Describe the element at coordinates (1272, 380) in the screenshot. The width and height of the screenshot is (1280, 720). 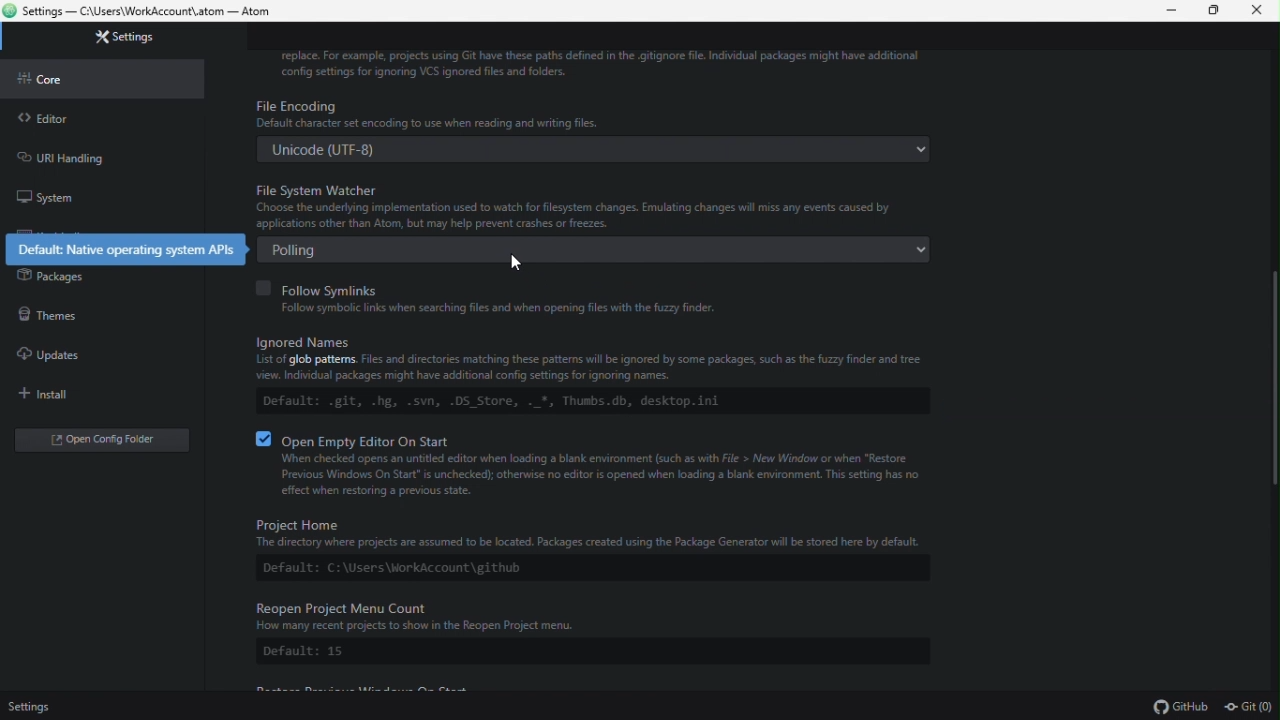
I see `scroll bar` at that location.